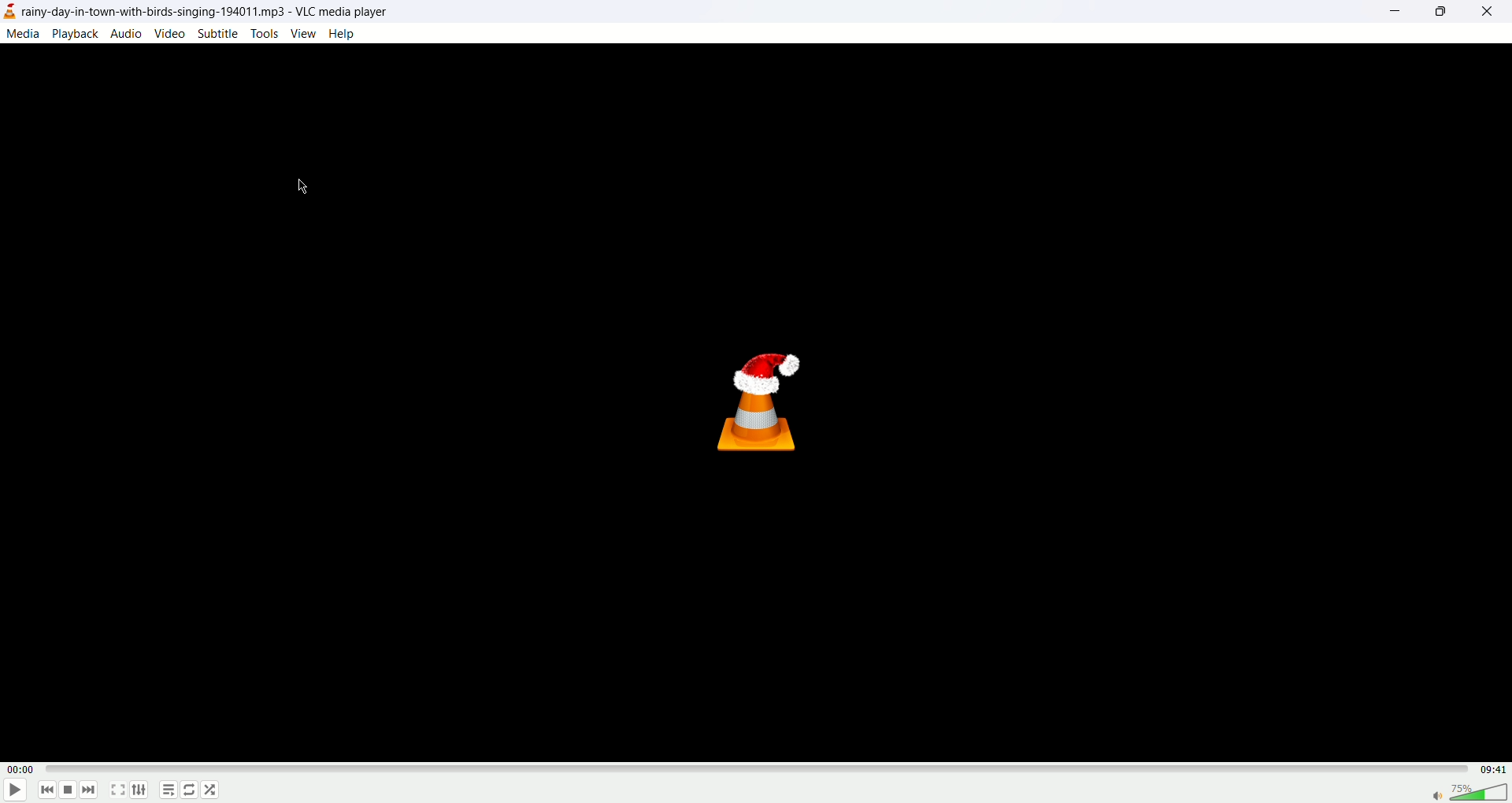 The height and width of the screenshot is (803, 1512). Describe the element at coordinates (212, 790) in the screenshot. I see `shuffle` at that location.